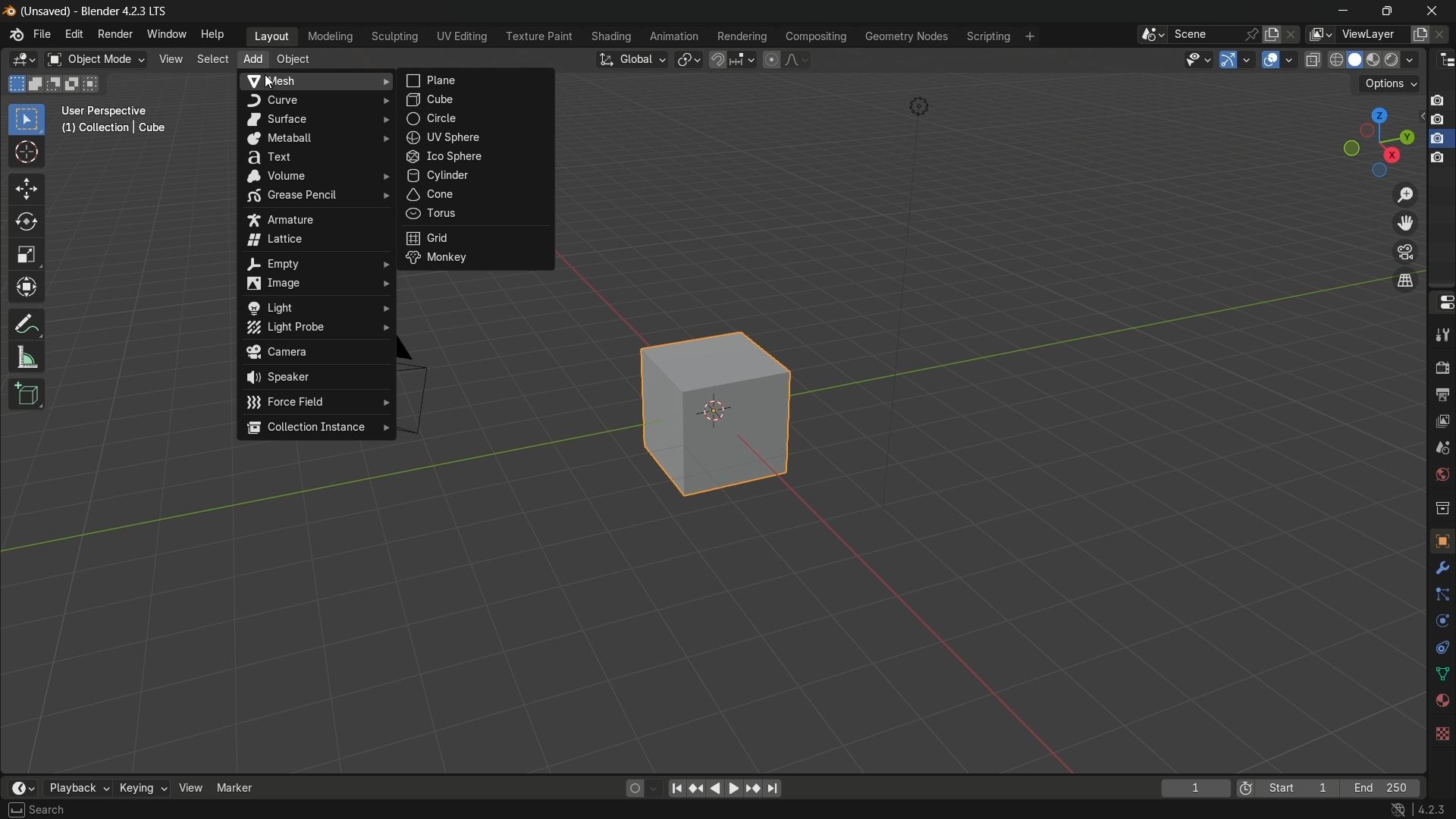 This screenshot has height=819, width=1456. I want to click on no internet, so click(1395, 810).